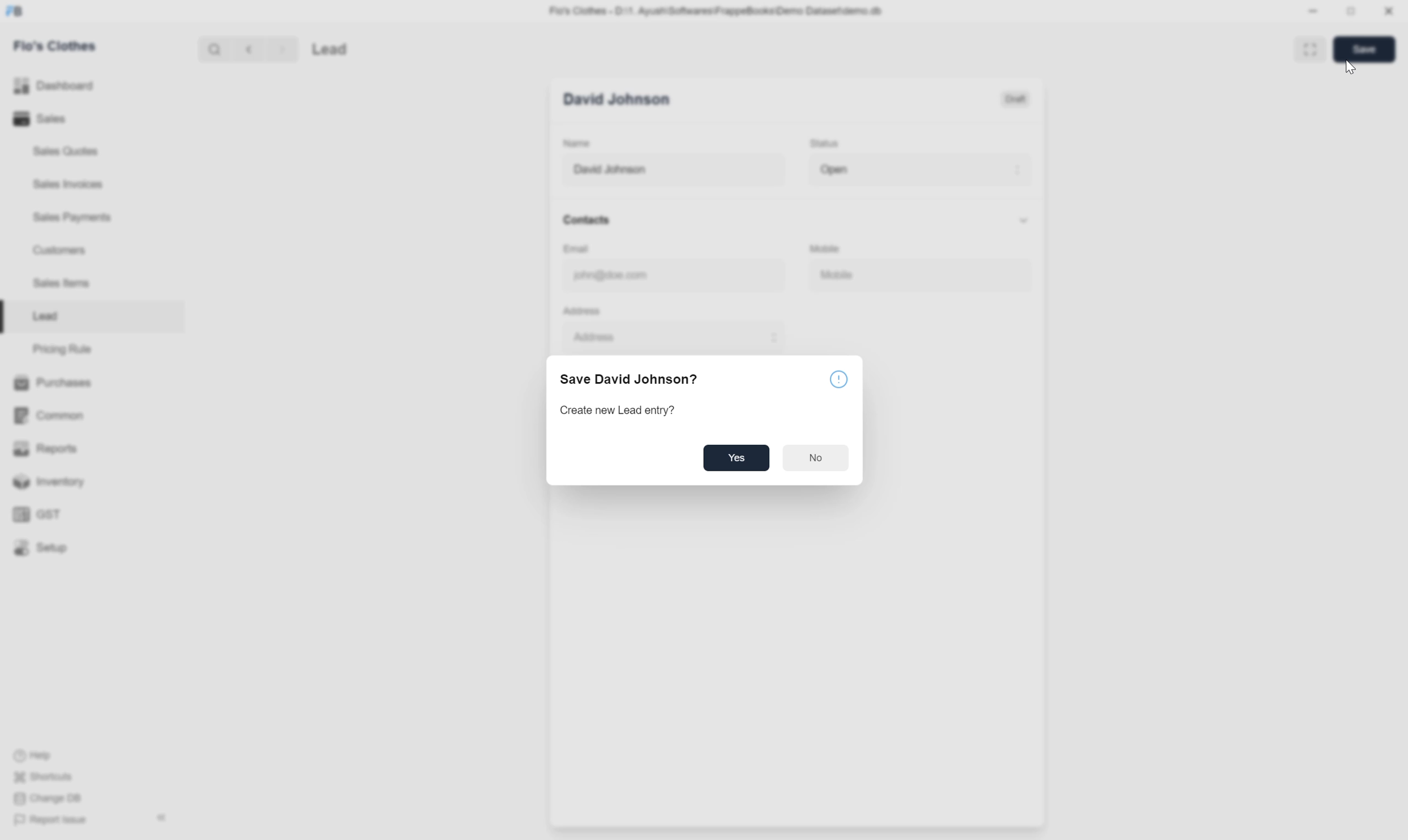 This screenshot has width=1408, height=840. I want to click on Sales Quotes, so click(68, 153).